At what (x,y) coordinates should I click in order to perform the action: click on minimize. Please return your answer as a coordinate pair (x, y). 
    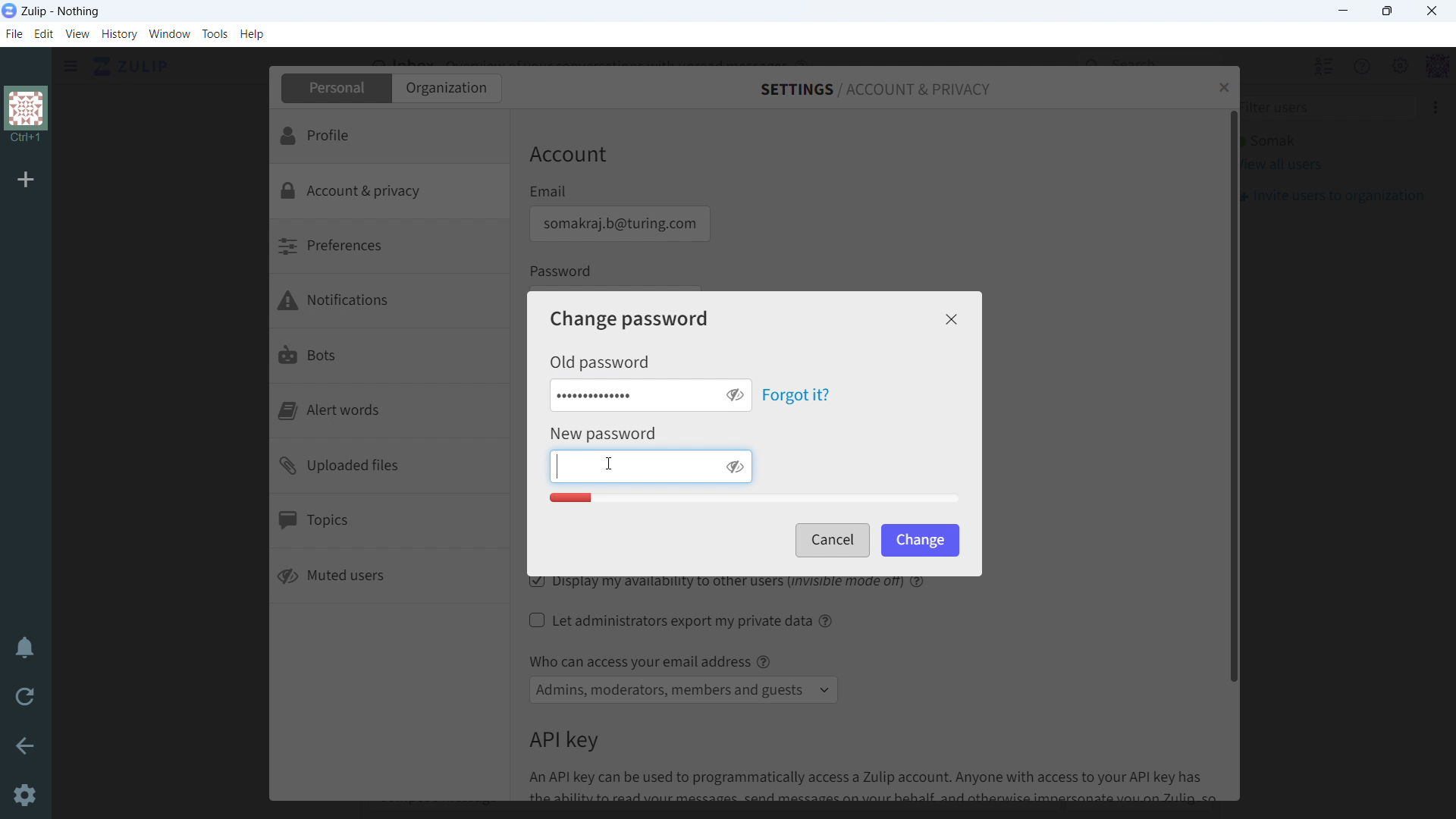
    Looking at the image, I should click on (1345, 11).